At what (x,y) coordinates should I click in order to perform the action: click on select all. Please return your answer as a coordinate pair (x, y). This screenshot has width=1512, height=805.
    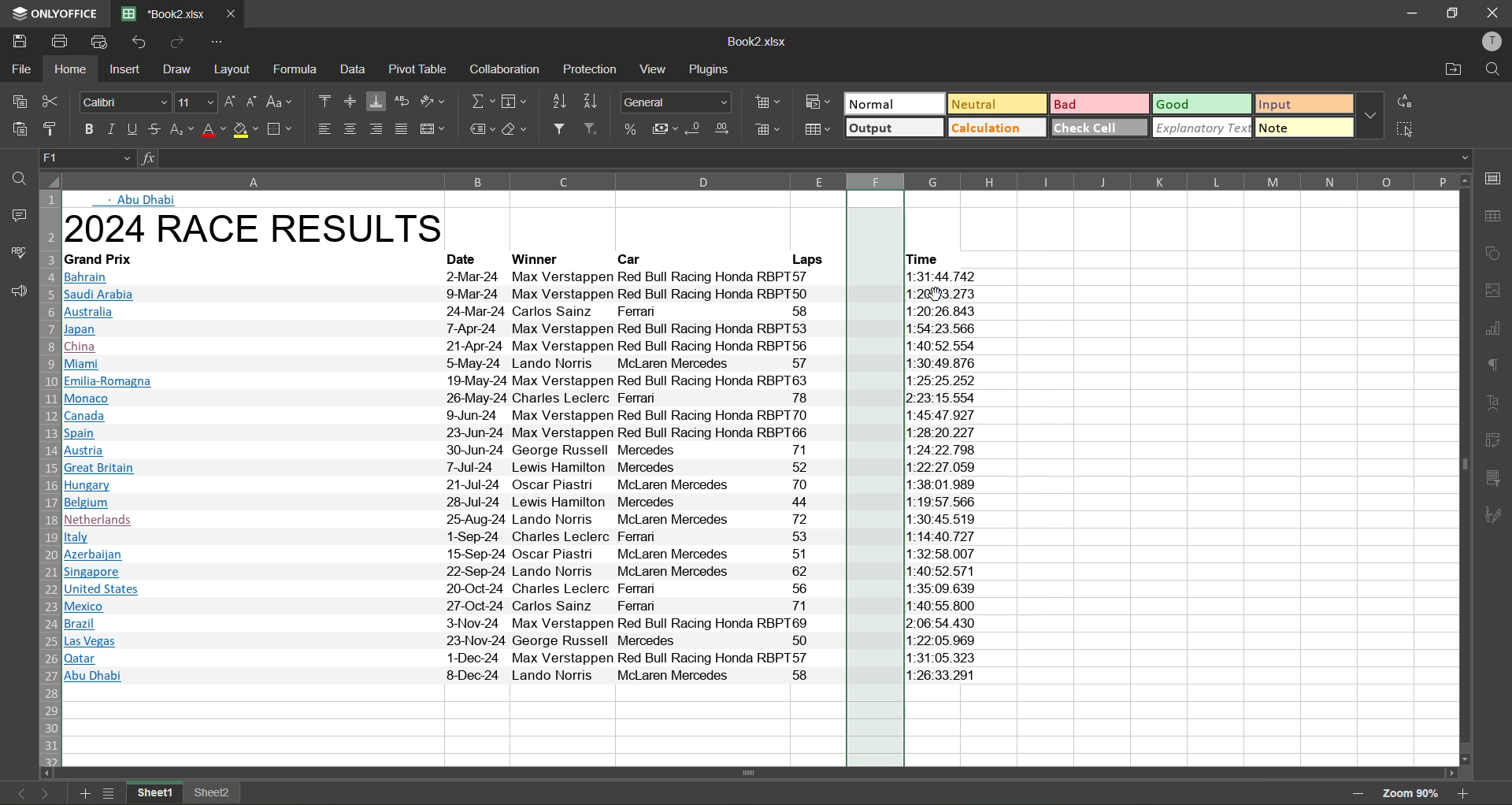
    Looking at the image, I should click on (1408, 130).